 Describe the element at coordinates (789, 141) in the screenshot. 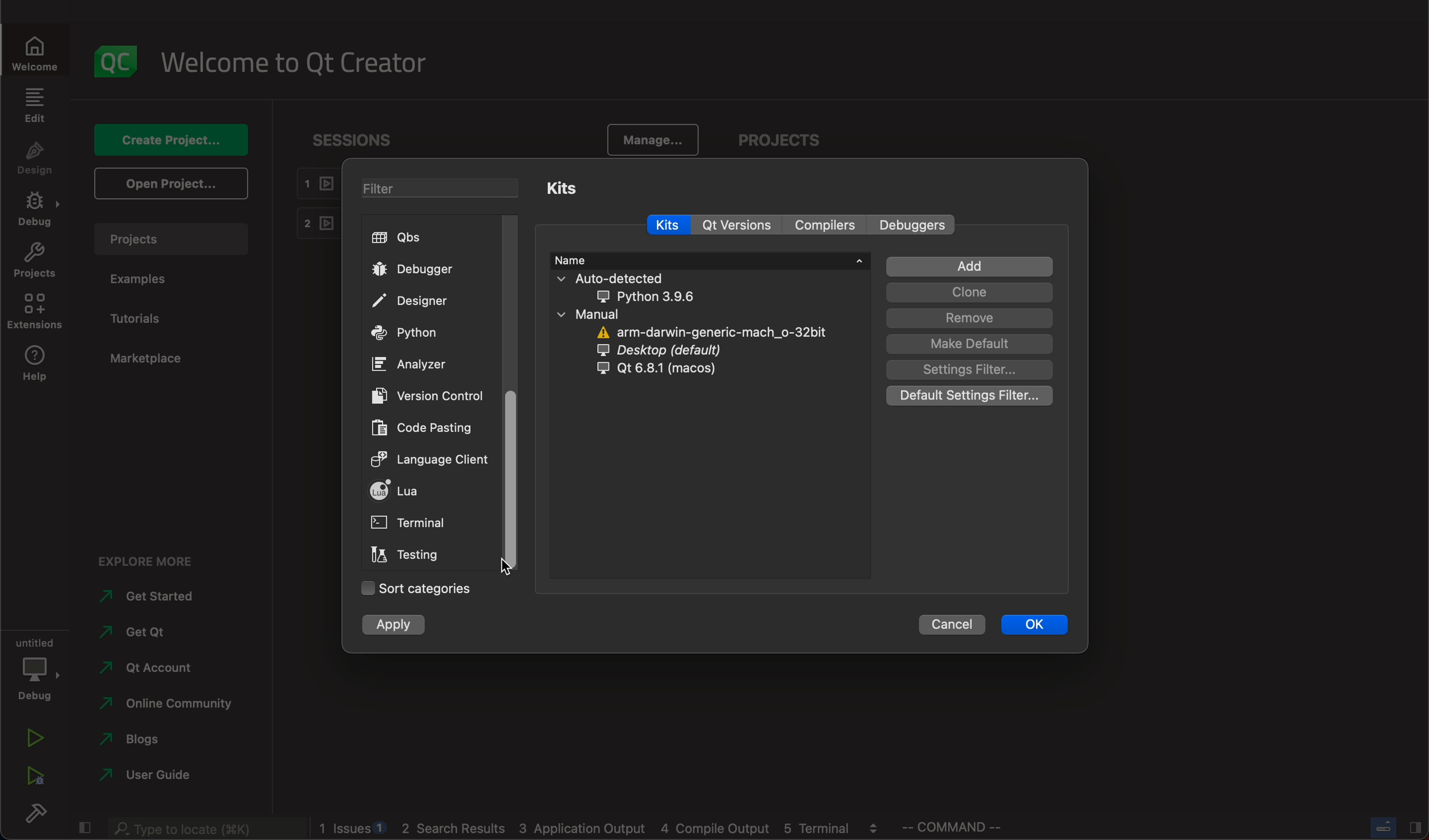

I see `projects` at that location.